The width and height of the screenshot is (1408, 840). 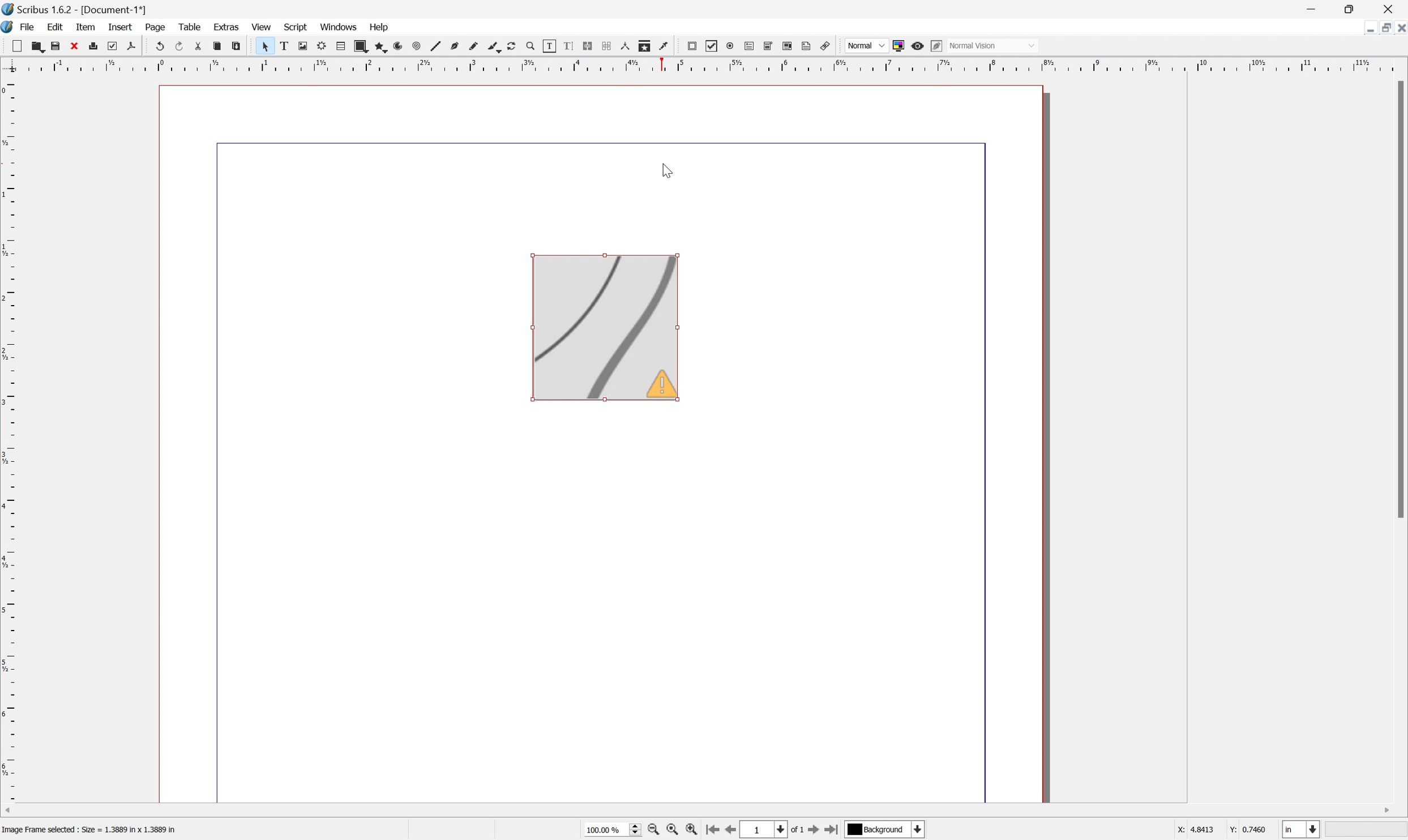 What do you see at coordinates (421, 47) in the screenshot?
I see `Spiral` at bounding box center [421, 47].